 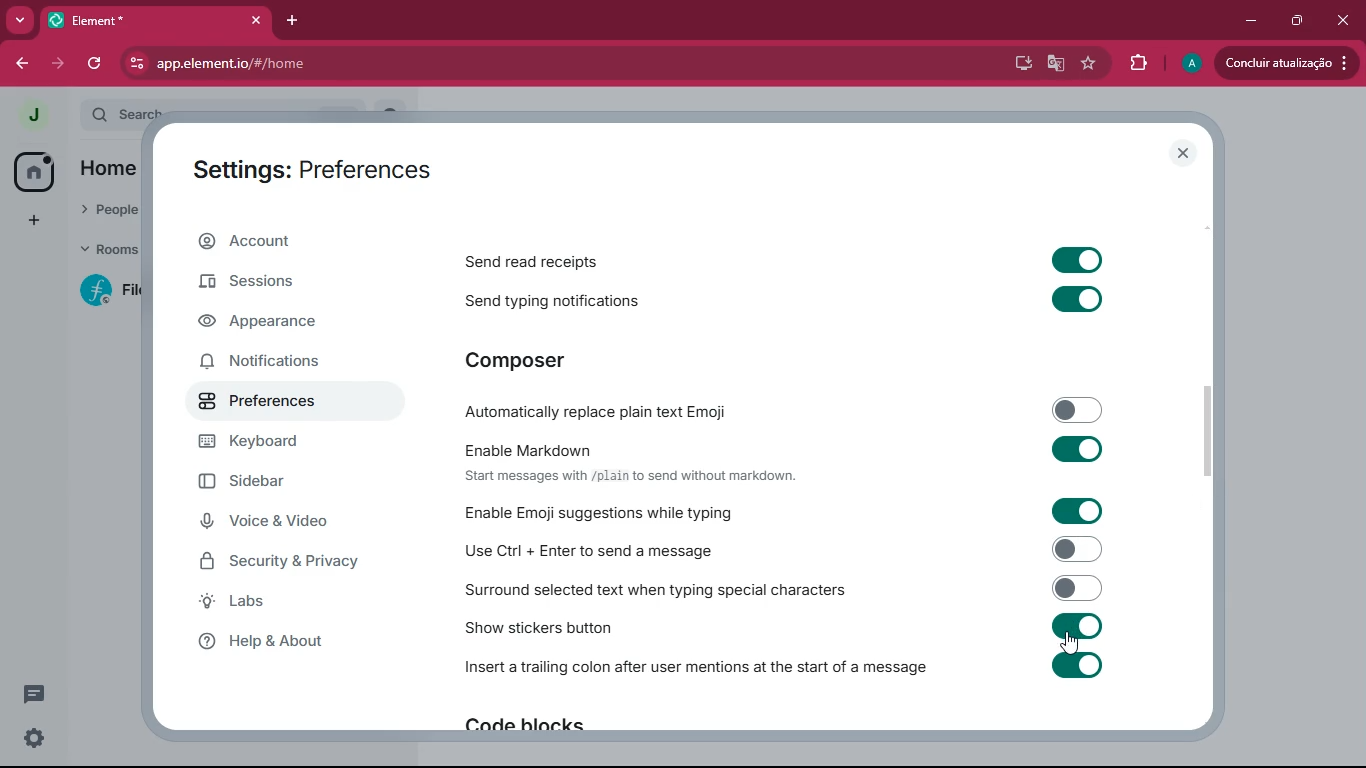 What do you see at coordinates (1345, 20) in the screenshot?
I see `close` at bounding box center [1345, 20].